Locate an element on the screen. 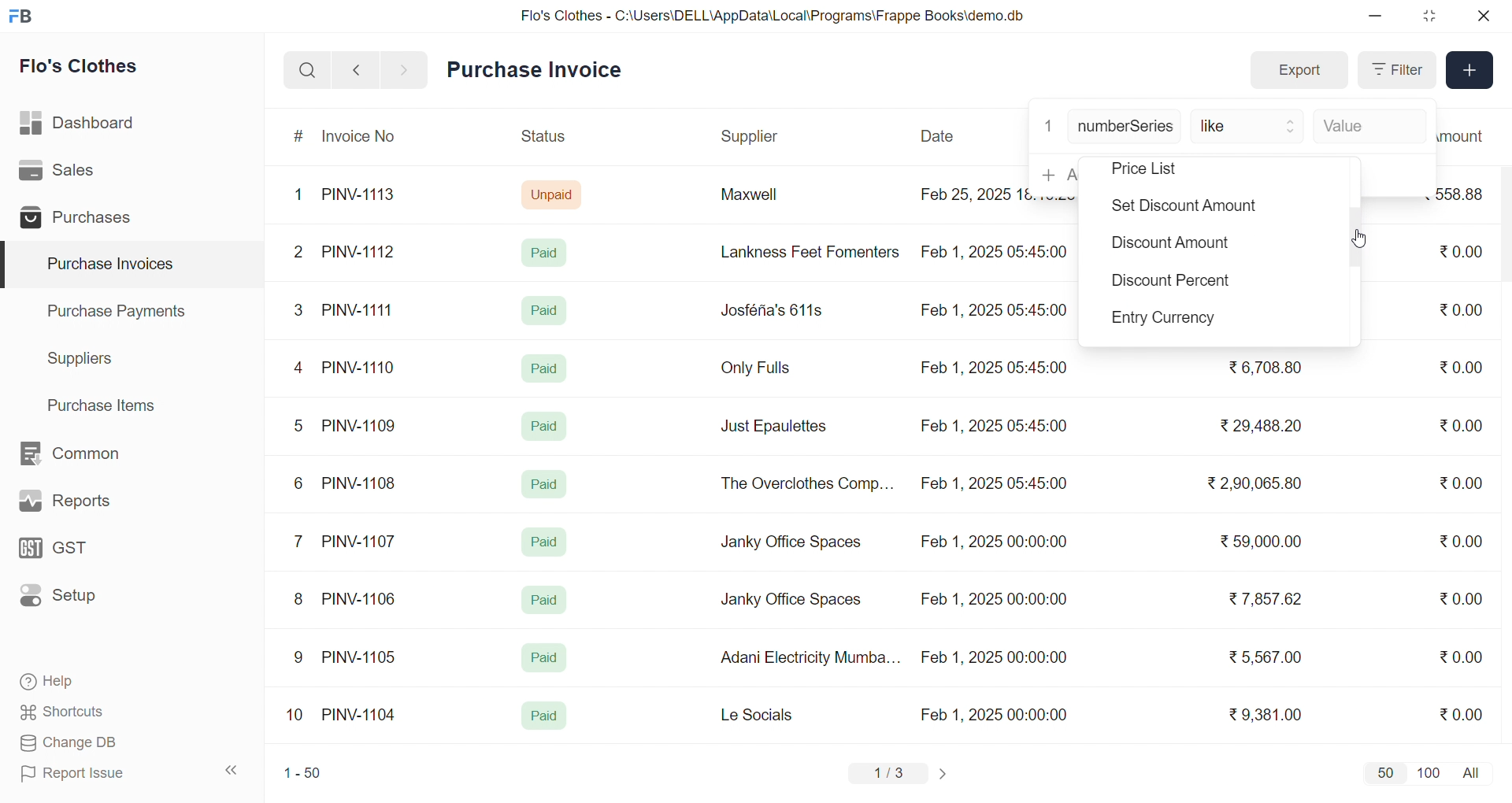 The height and width of the screenshot is (803, 1512). logo is located at coordinates (24, 17).